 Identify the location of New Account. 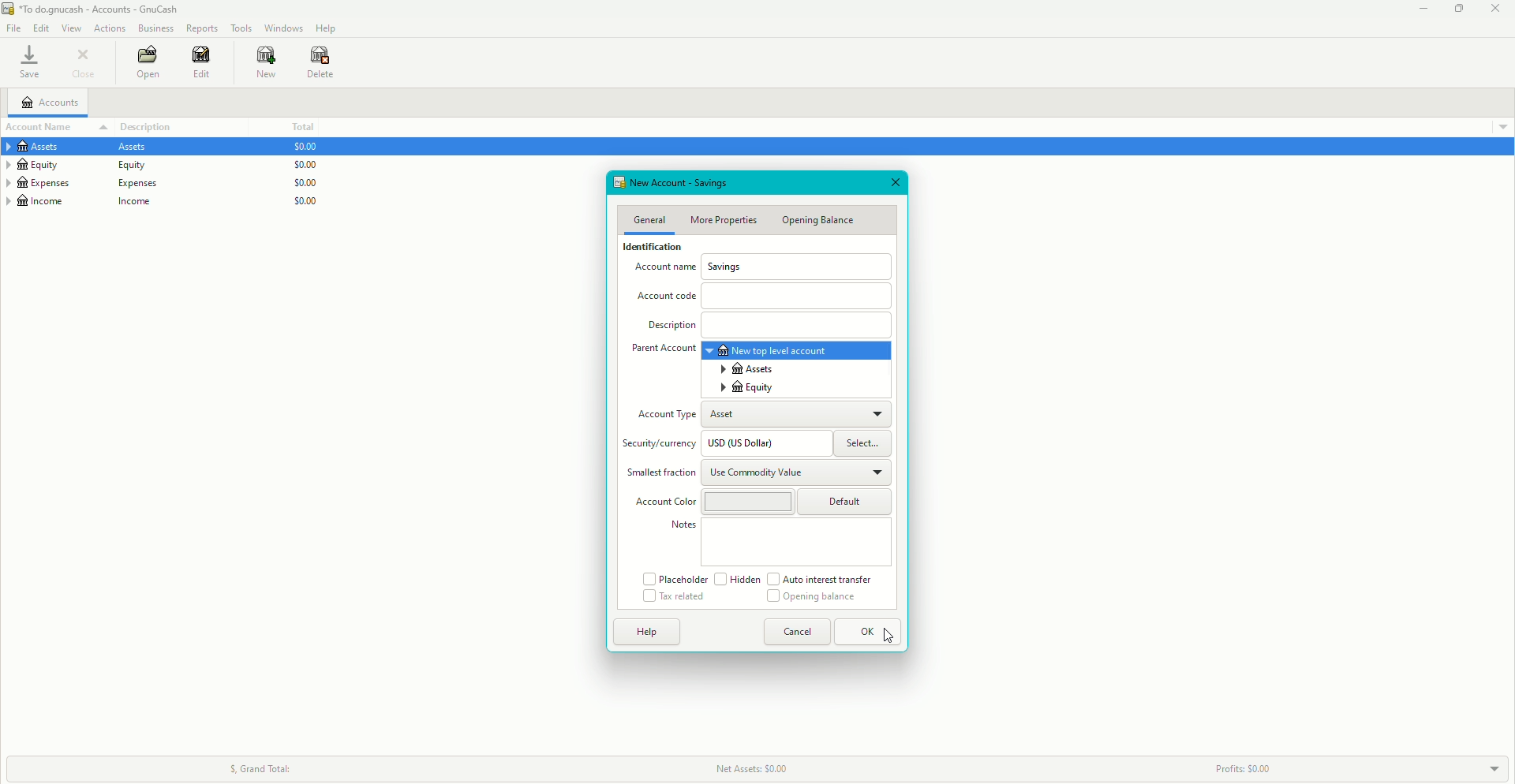
(695, 182).